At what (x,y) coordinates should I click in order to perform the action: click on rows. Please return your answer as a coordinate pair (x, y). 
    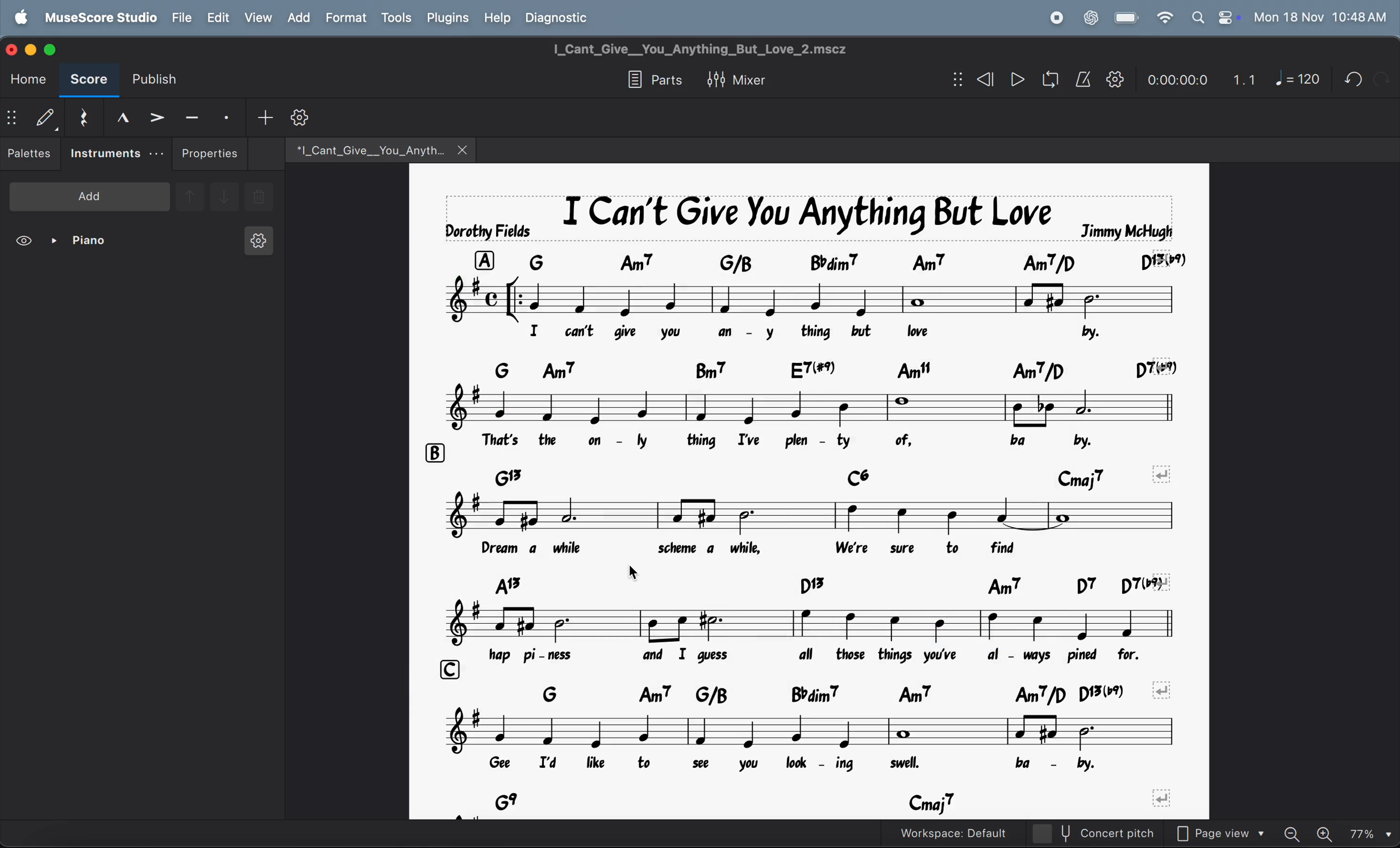
    Looking at the image, I should click on (452, 666).